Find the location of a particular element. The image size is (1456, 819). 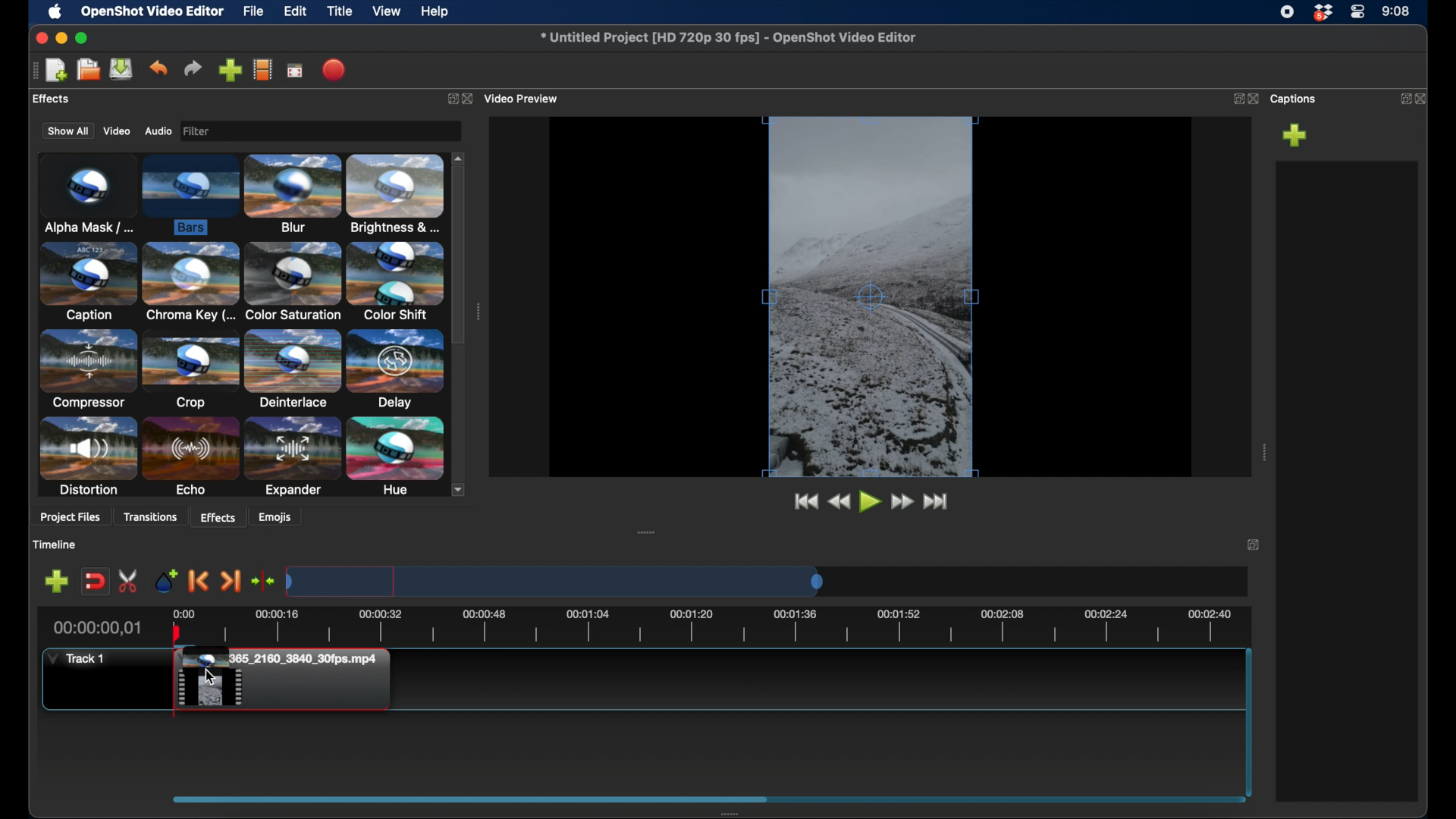

echo is located at coordinates (191, 457).